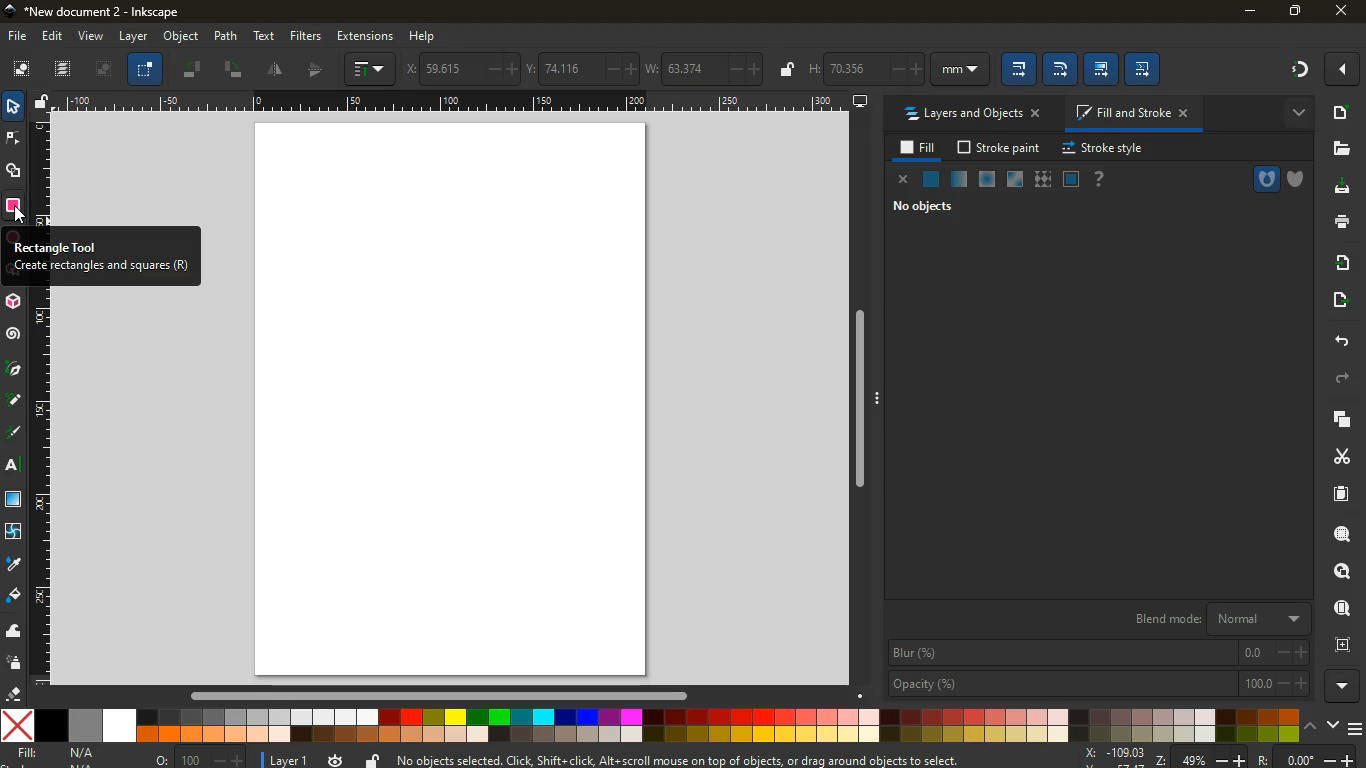 Image resolution: width=1366 pixels, height=768 pixels. I want to click on print, so click(1340, 222).